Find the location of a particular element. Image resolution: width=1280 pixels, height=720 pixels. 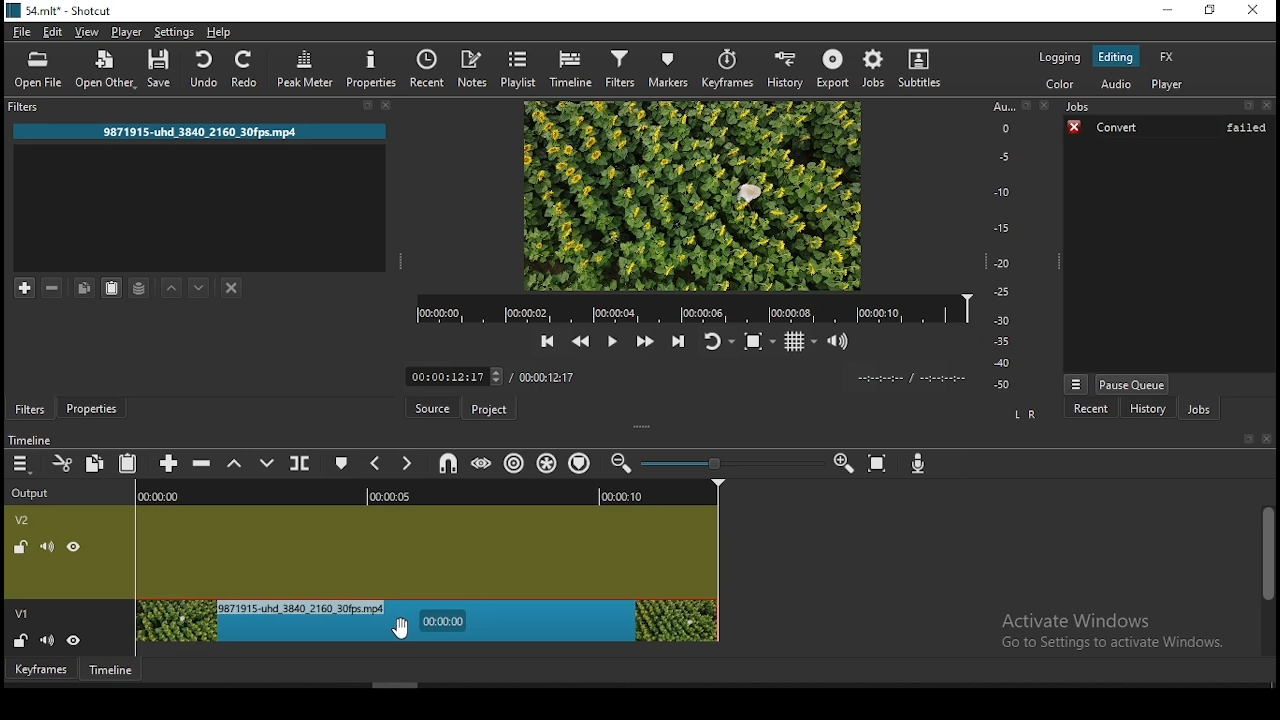

editing is located at coordinates (1121, 57).